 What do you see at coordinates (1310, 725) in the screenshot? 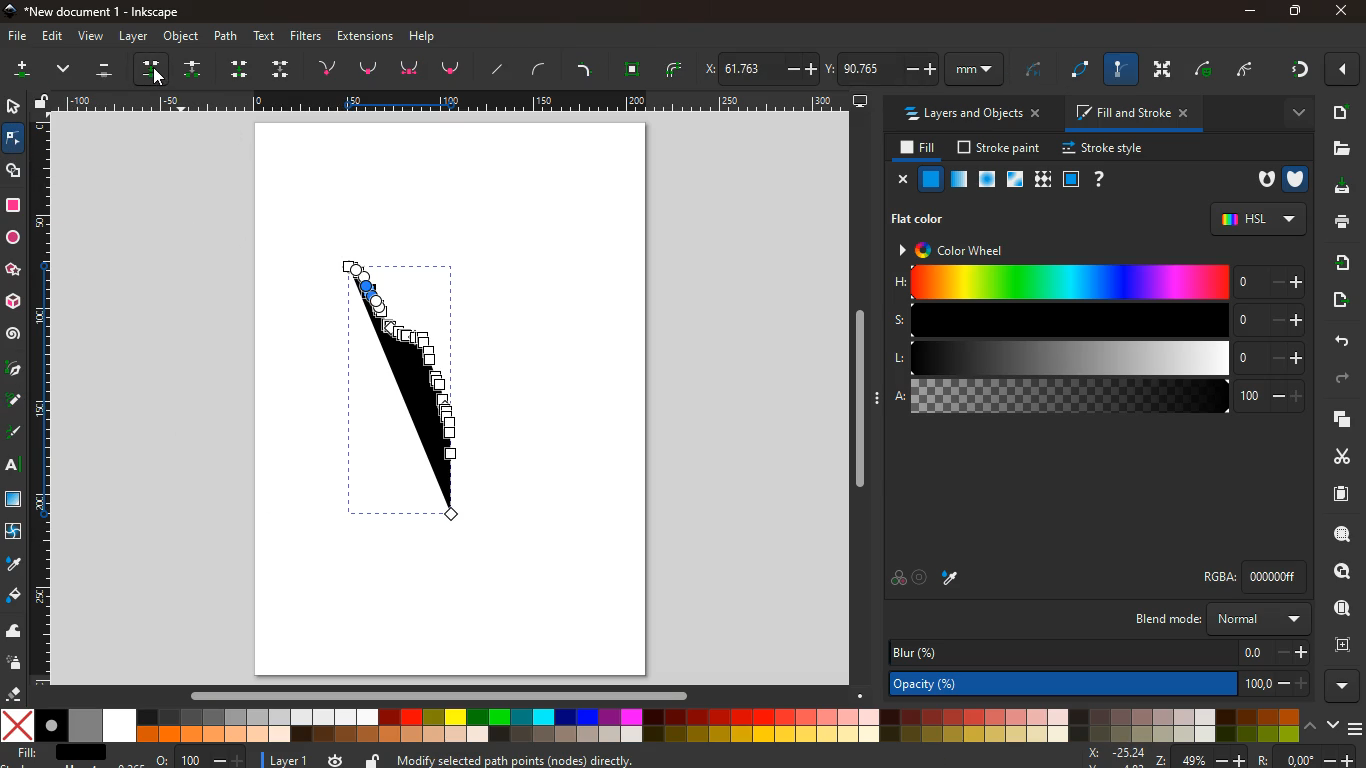
I see `up` at bounding box center [1310, 725].